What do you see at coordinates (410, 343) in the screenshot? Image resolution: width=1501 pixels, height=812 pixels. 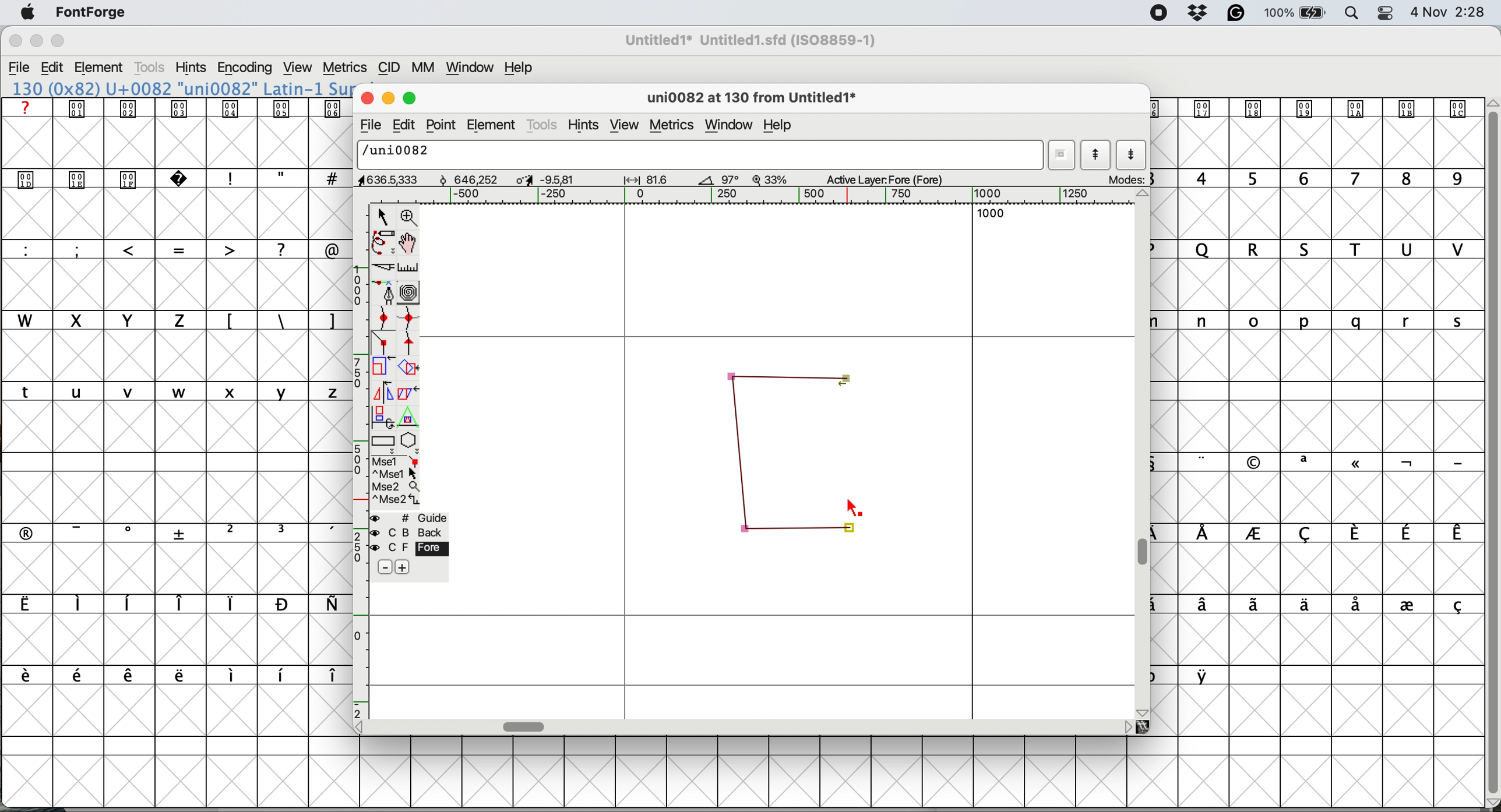 I see `add a tangent point` at bounding box center [410, 343].